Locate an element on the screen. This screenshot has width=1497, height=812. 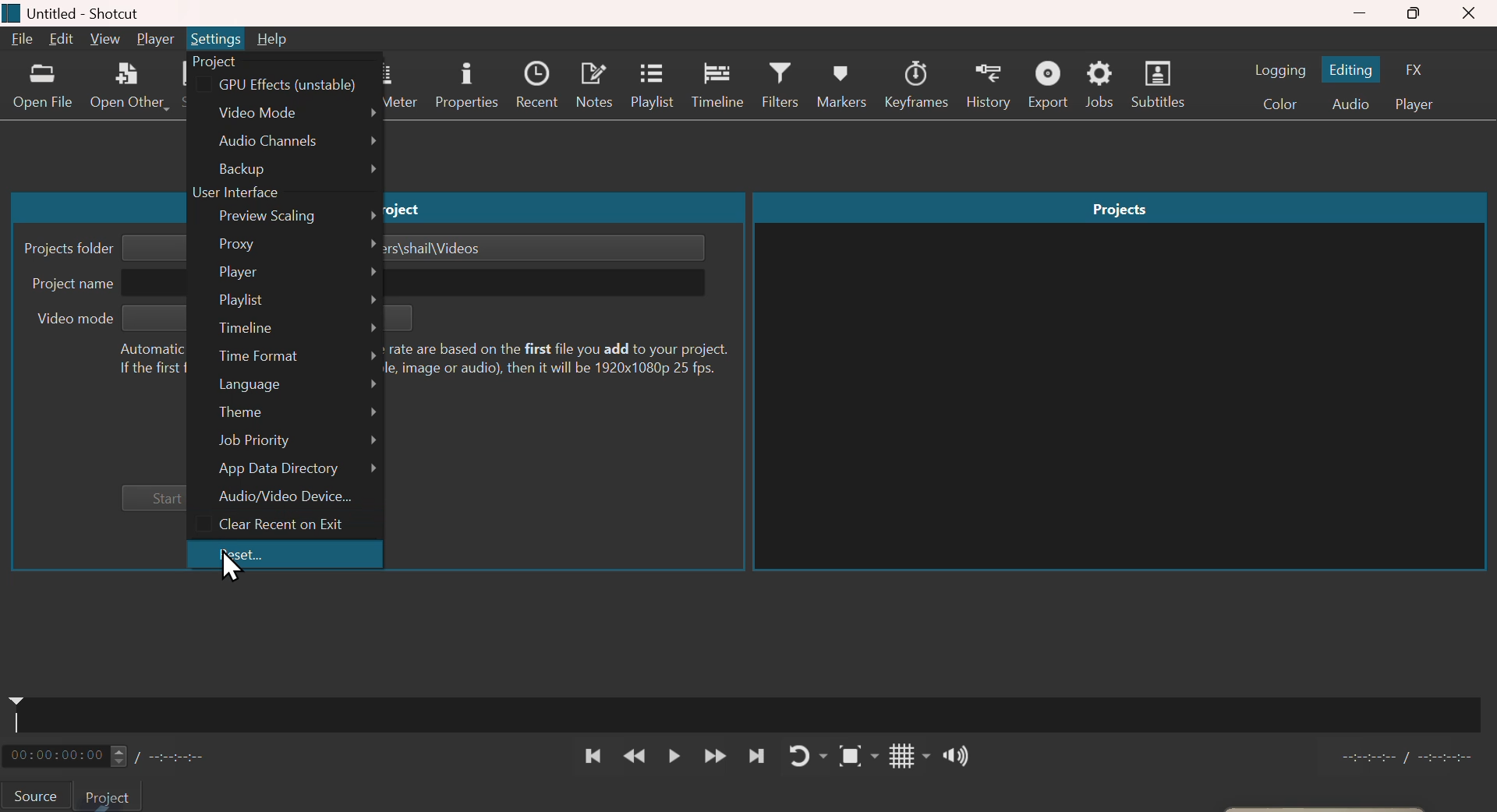
Subtitles is located at coordinates (1163, 85).